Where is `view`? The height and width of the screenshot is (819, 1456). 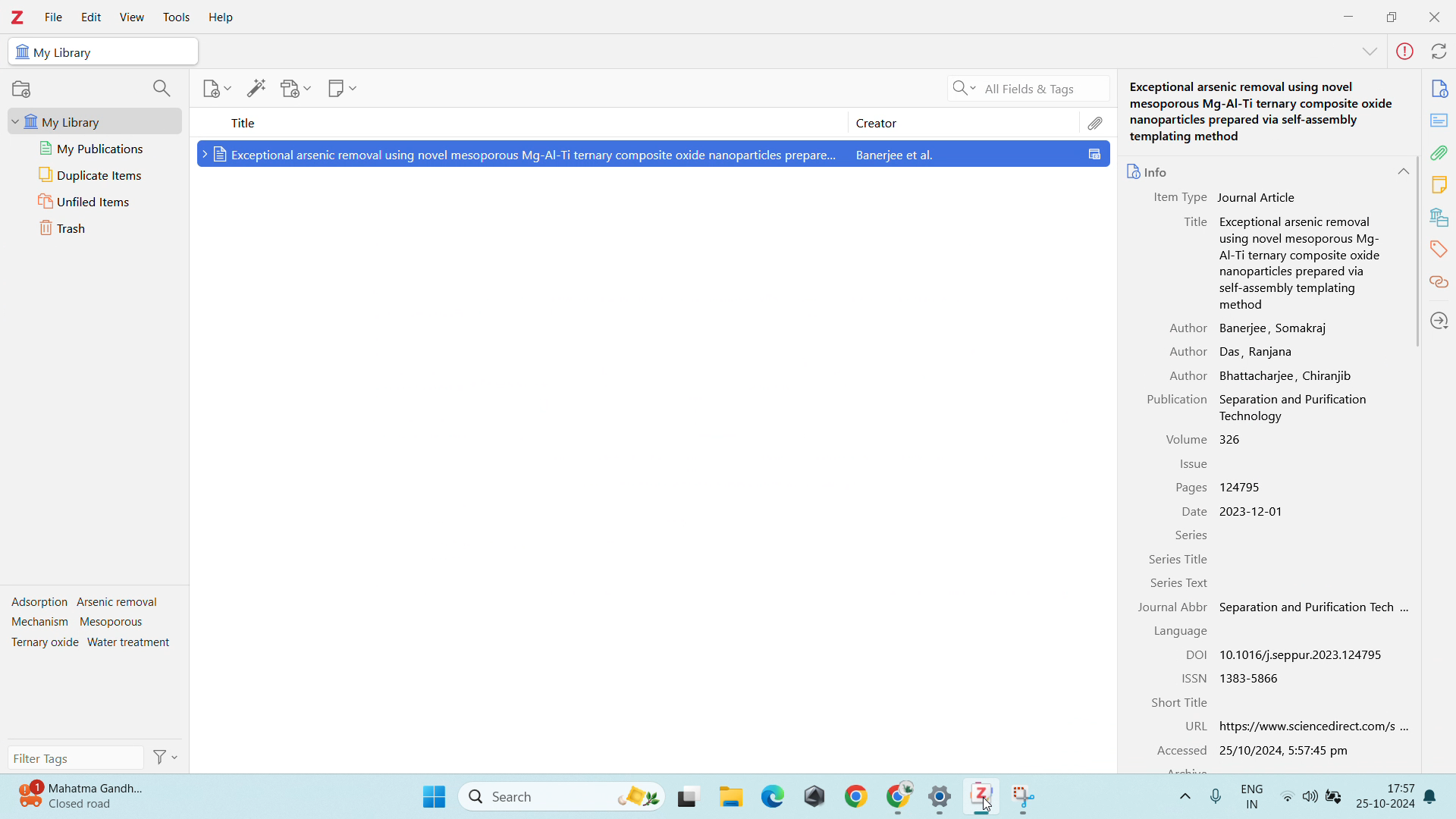
view is located at coordinates (133, 17).